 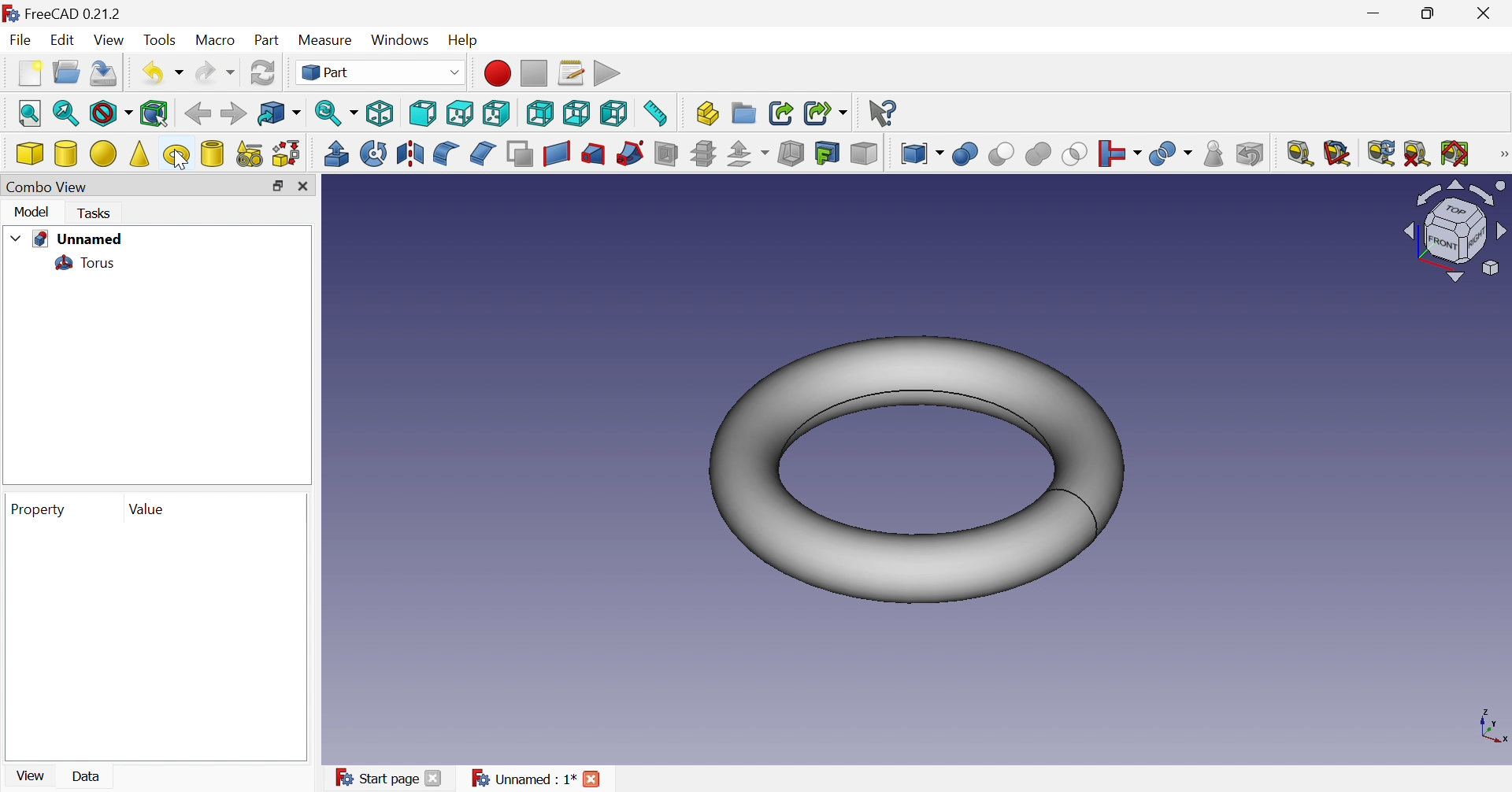 What do you see at coordinates (109, 39) in the screenshot?
I see `View` at bounding box center [109, 39].